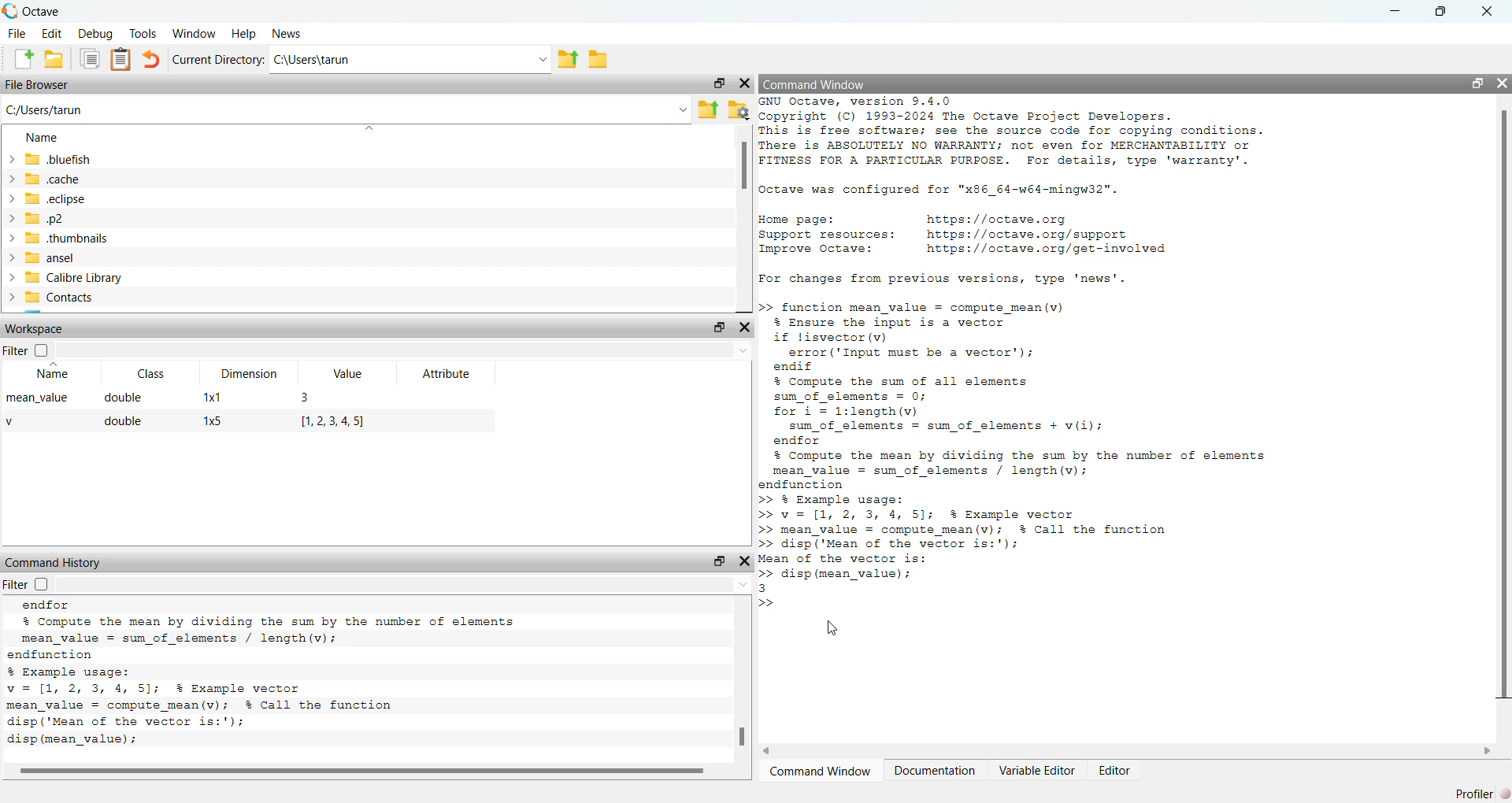 This screenshot has height=803, width=1512. Describe the element at coordinates (1505, 401) in the screenshot. I see `scroll  bar` at that location.